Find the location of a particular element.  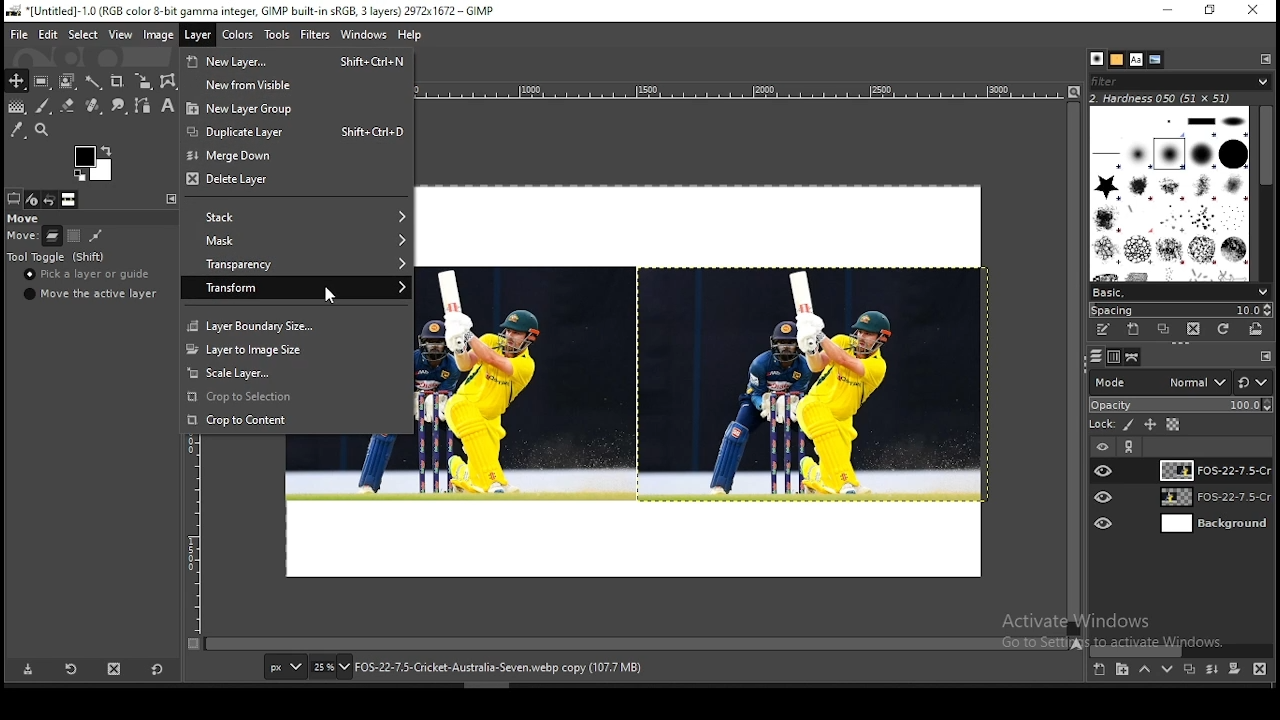

delete brush is located at coordinates (1193, 329).